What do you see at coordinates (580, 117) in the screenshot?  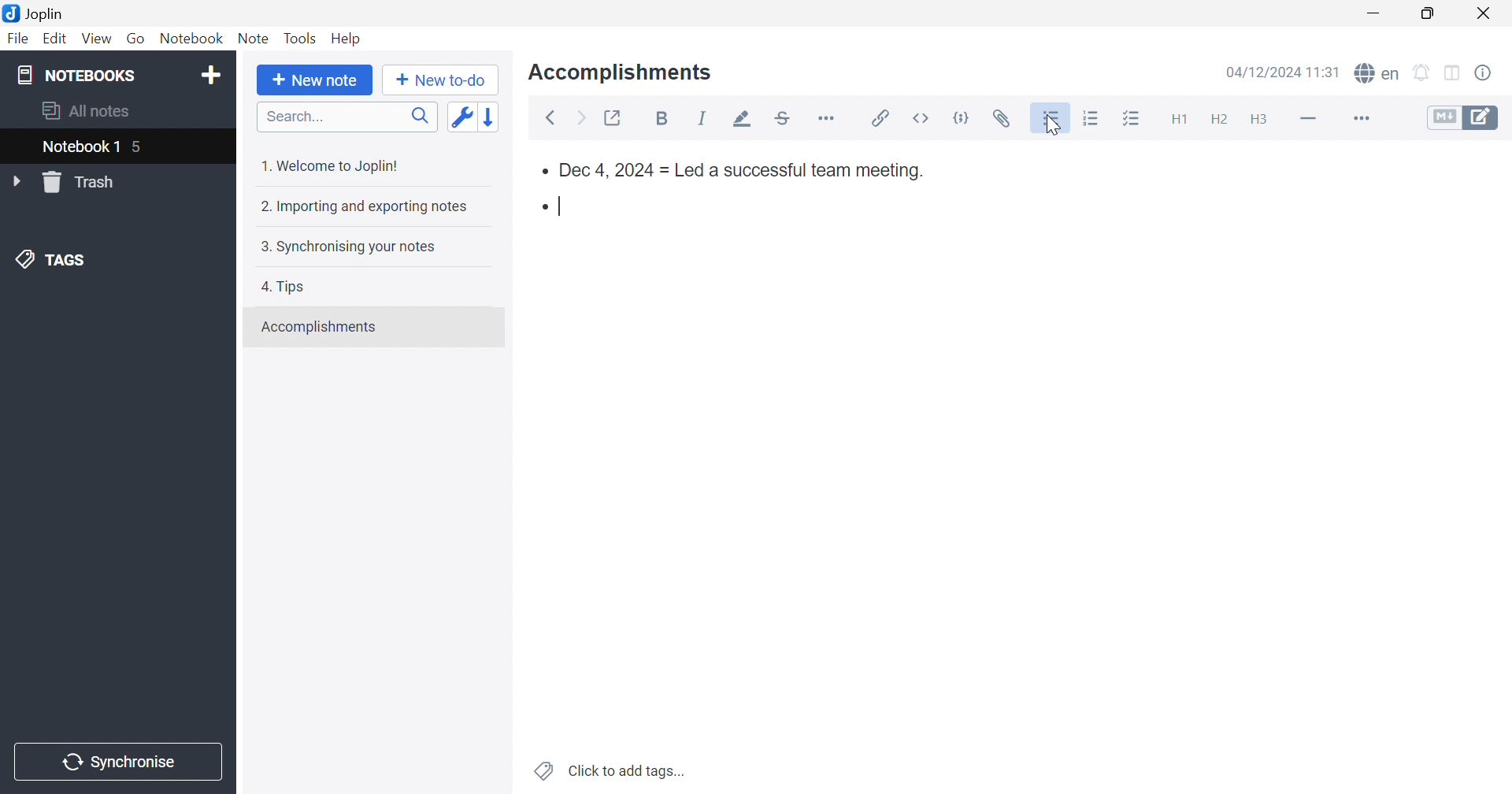 I see `Forward` at bounding box center [580, 117].